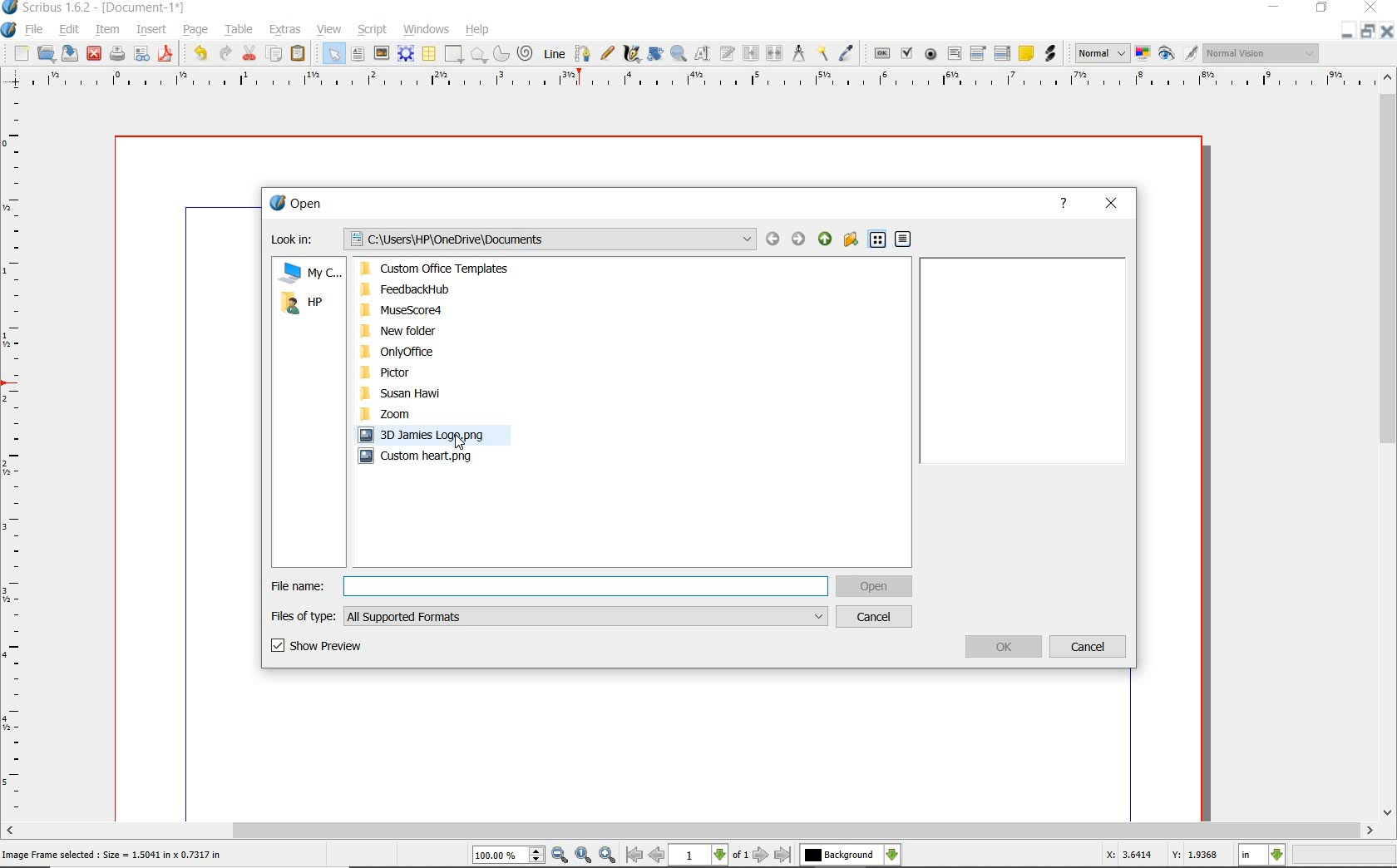 This screenshot has height=868, width=1397. Describe the element at coordinates (1101, 52) in the screenshot. I see `image preview quality` at that location.